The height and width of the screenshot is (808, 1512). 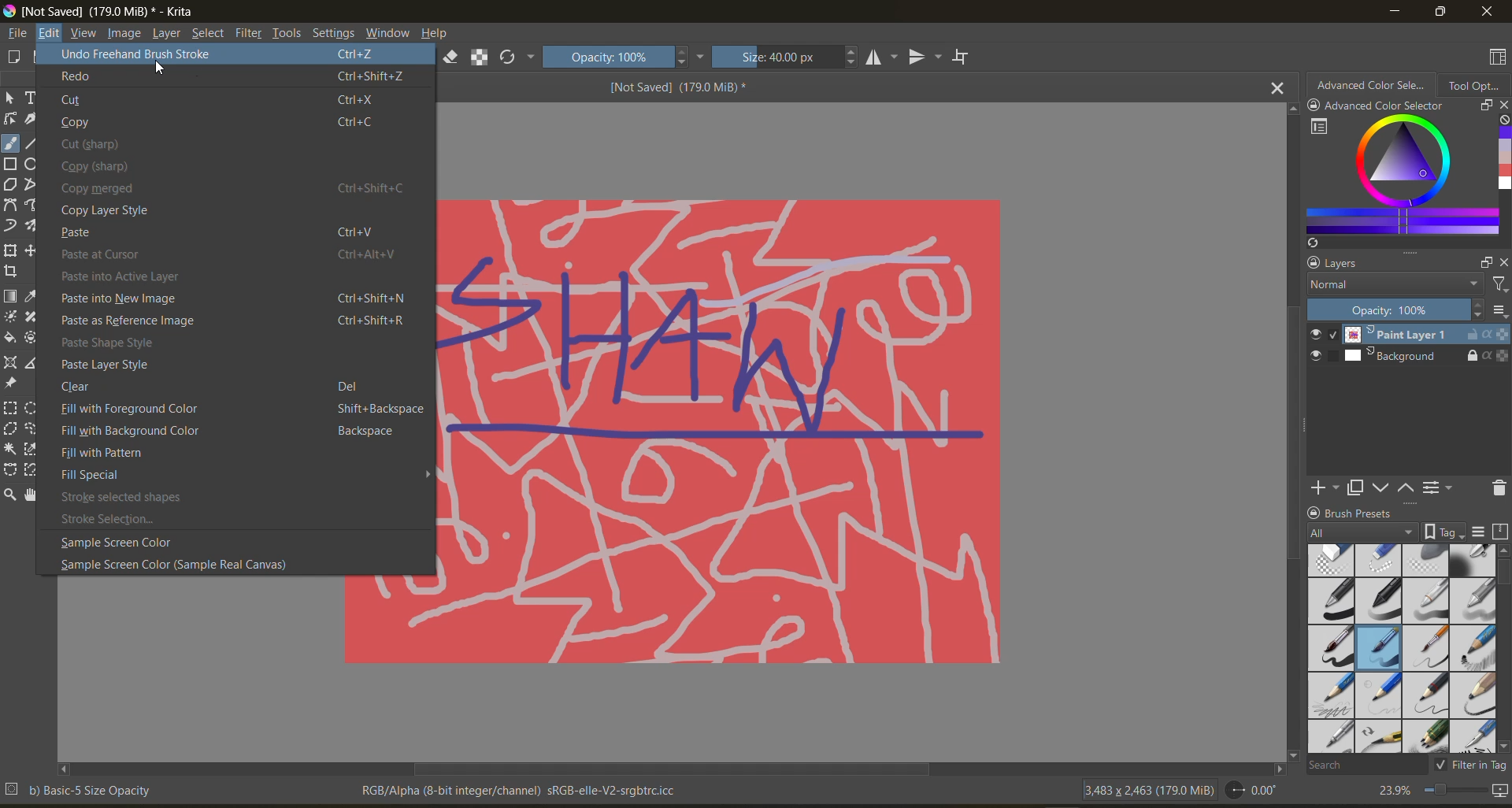 What do you see at coordinates (1146, 790) in the screenshot?
I see `3,483 x 2,463 (179.0 MiB)` at bounding box center [1146, 790].